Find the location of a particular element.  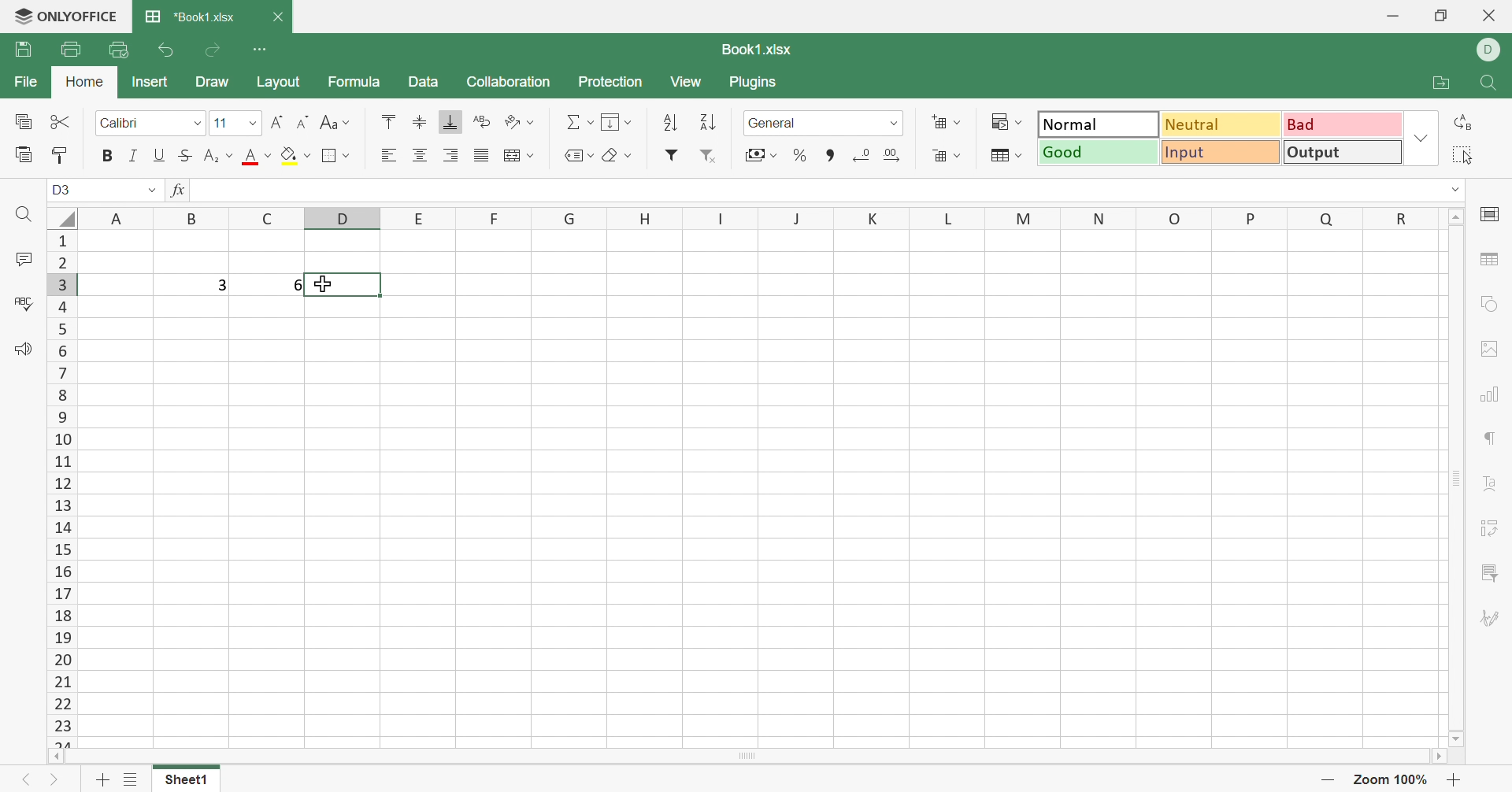

Data is located at coordinates (421, 81).